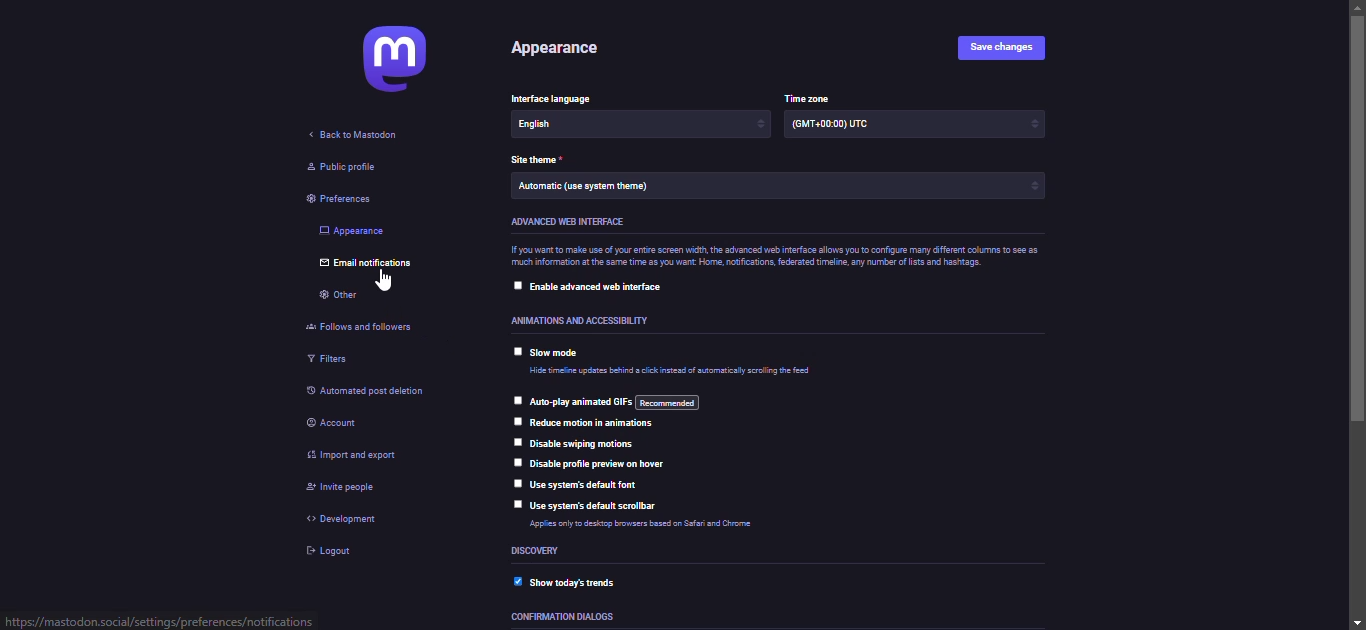  What do you see at coordinates (331, 551) in the screenshot?
I see `logout` at bounding box center [331, 551].